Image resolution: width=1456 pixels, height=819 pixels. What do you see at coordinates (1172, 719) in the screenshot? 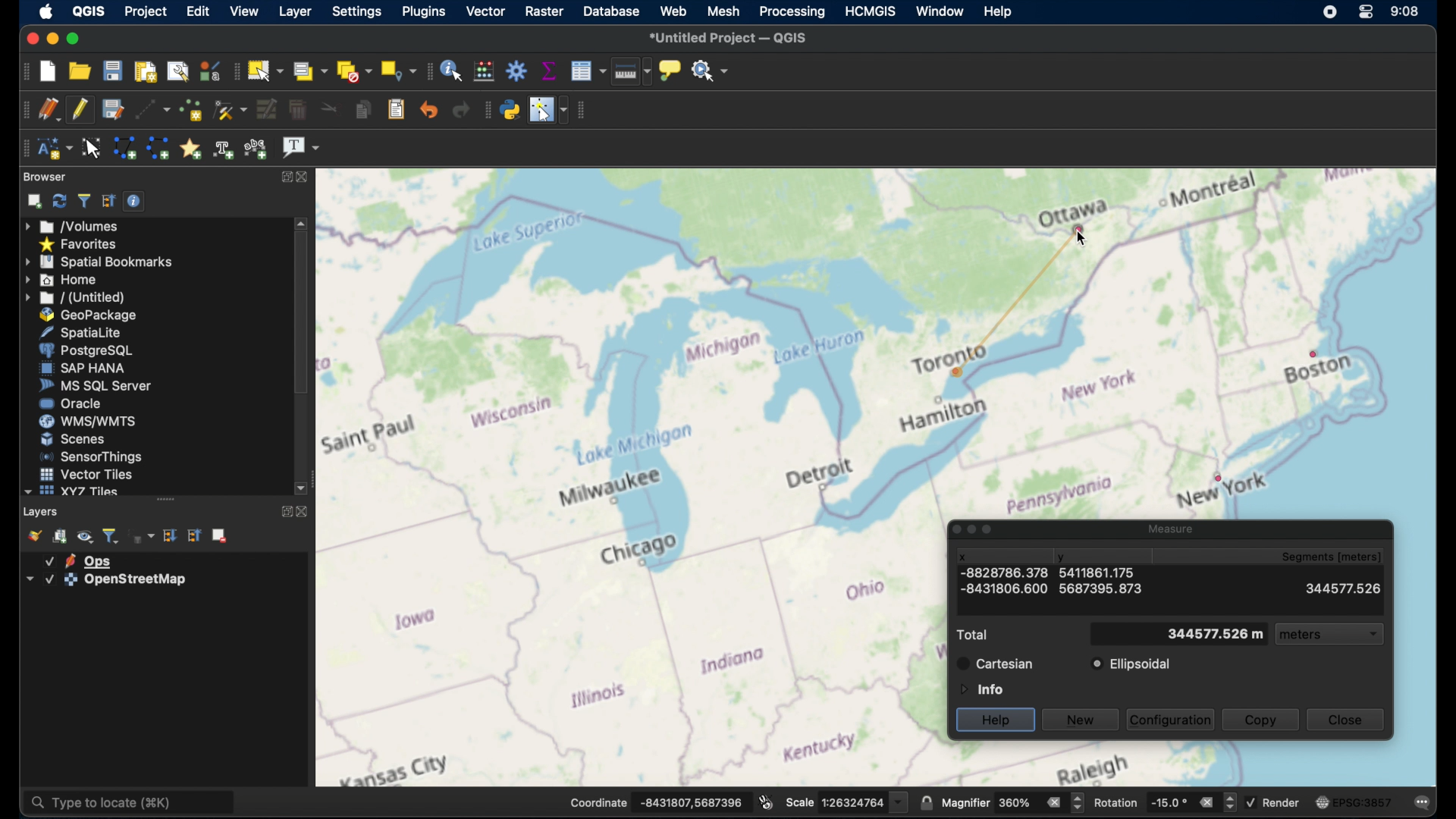
I see `configuration` at bounding box center [1172, 719].